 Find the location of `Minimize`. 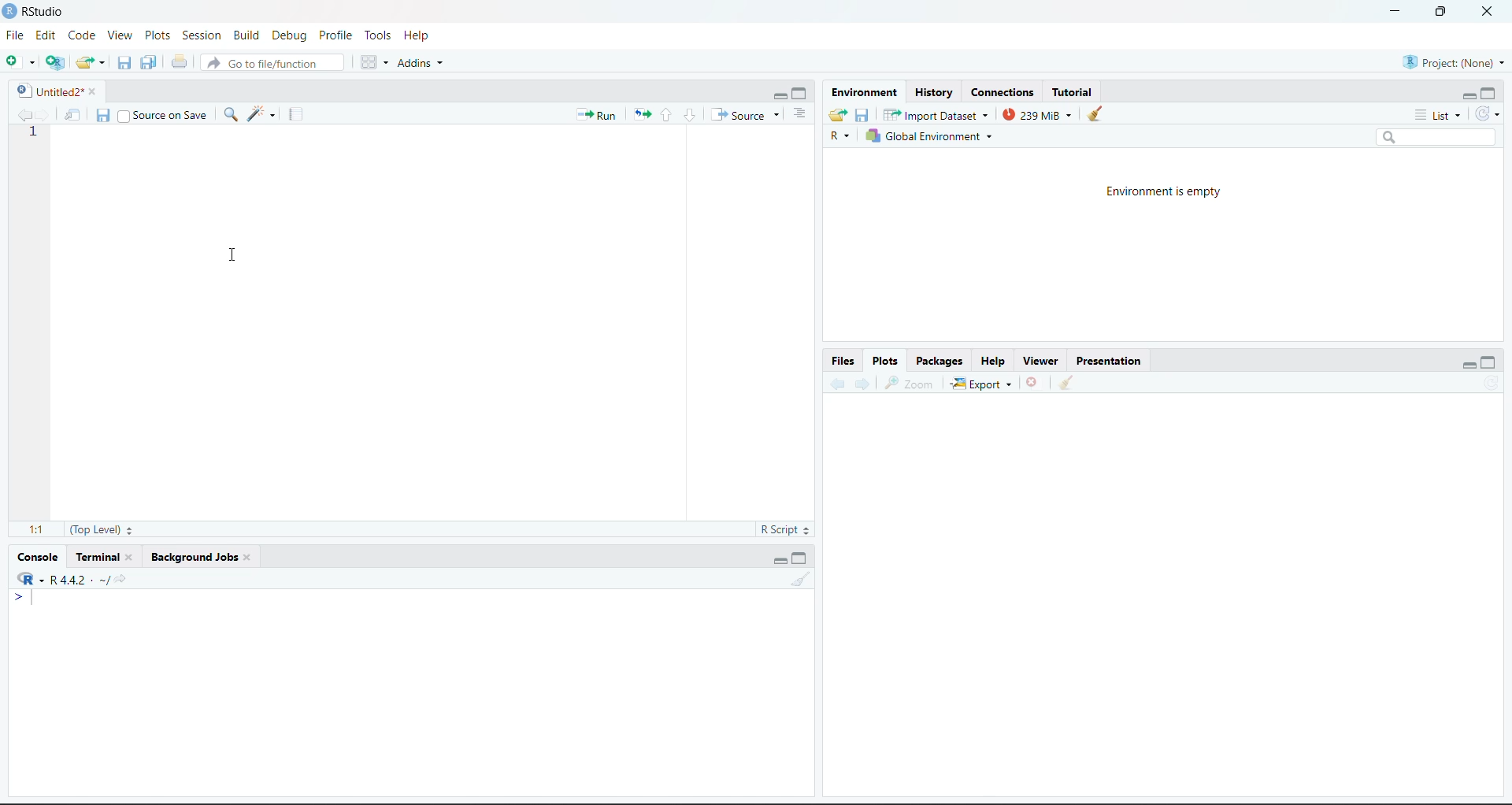

Minimize is located at coordinates (778, 558).